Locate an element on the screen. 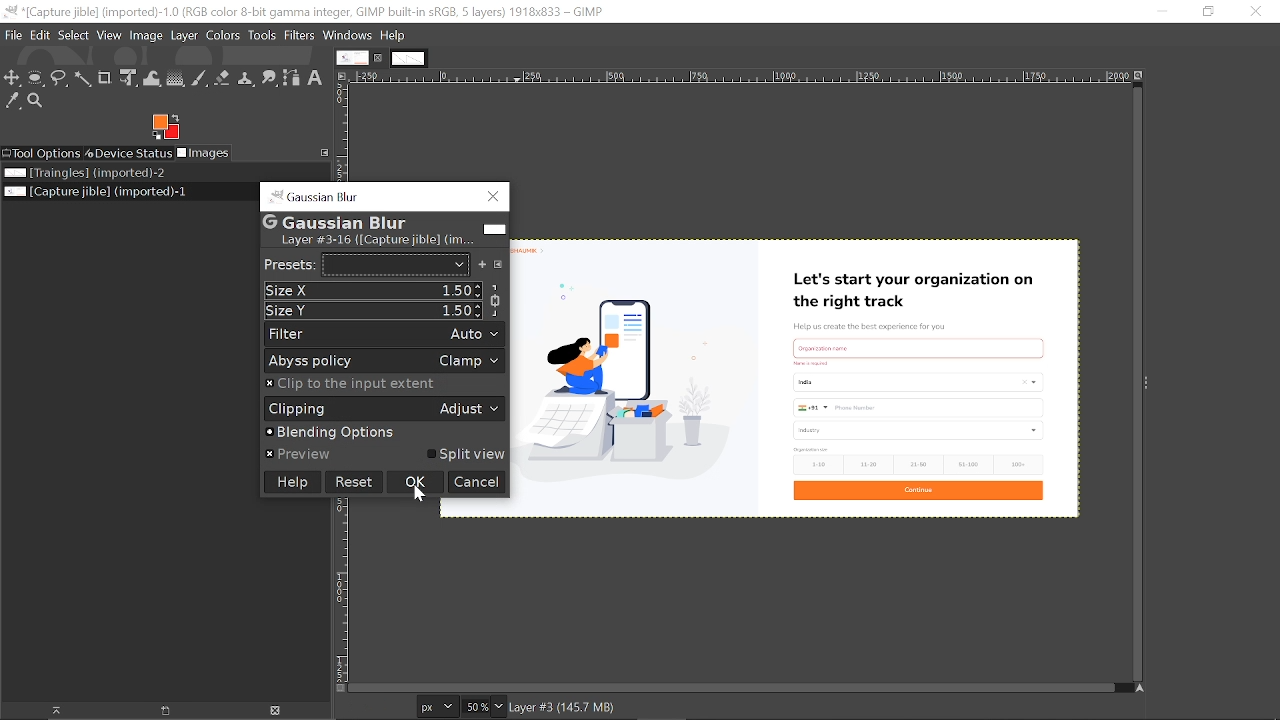 The width and height of the screenshot is (1280, 720). Current zoom is located at coordinates (500, 708).